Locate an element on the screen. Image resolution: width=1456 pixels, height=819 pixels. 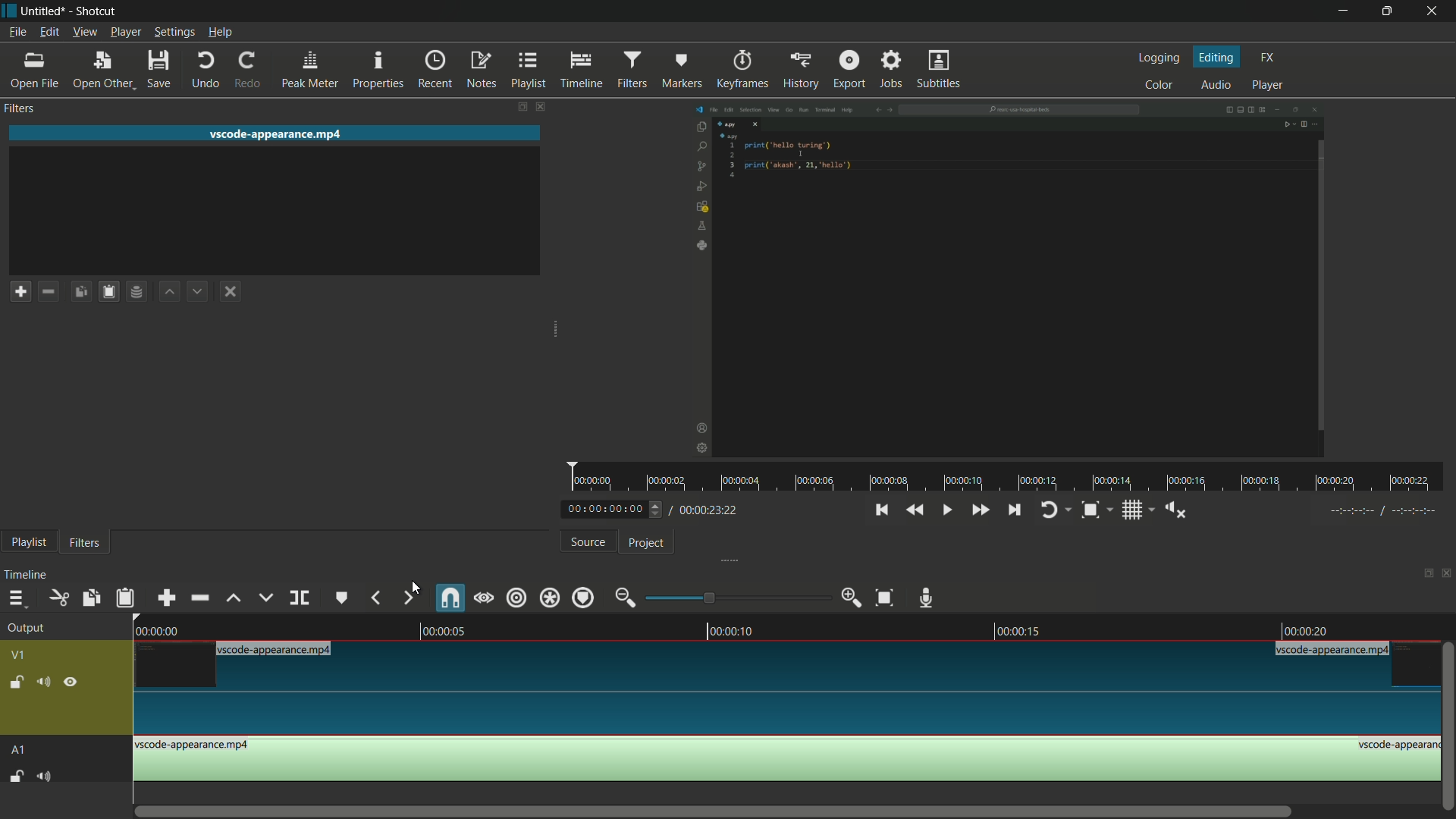
skip to the next point is located at coordinates (1014, 511).